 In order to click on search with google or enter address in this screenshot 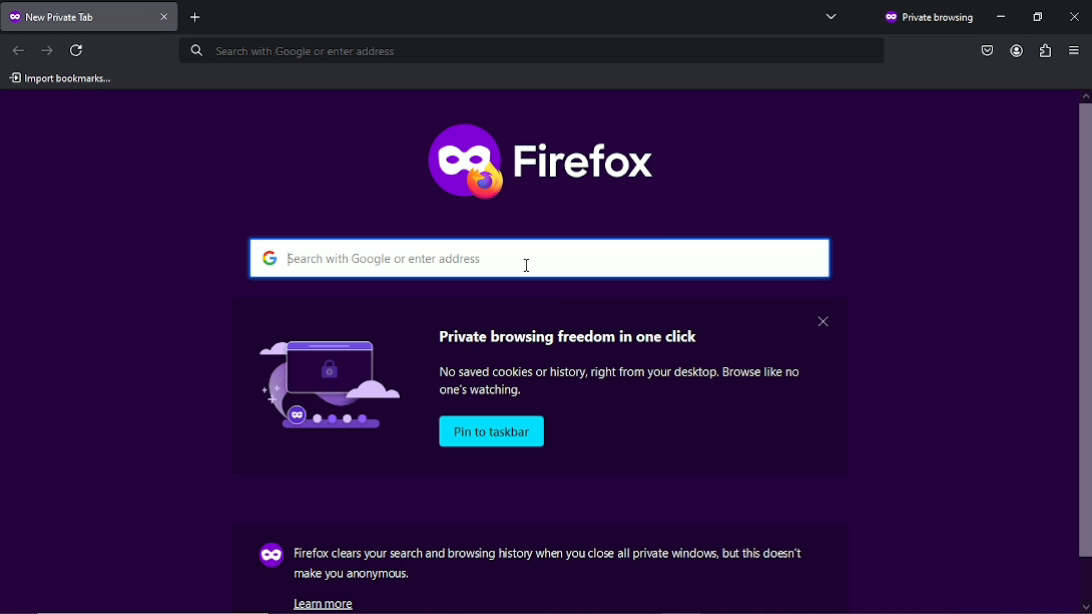, I will do `click(530, 52)`.